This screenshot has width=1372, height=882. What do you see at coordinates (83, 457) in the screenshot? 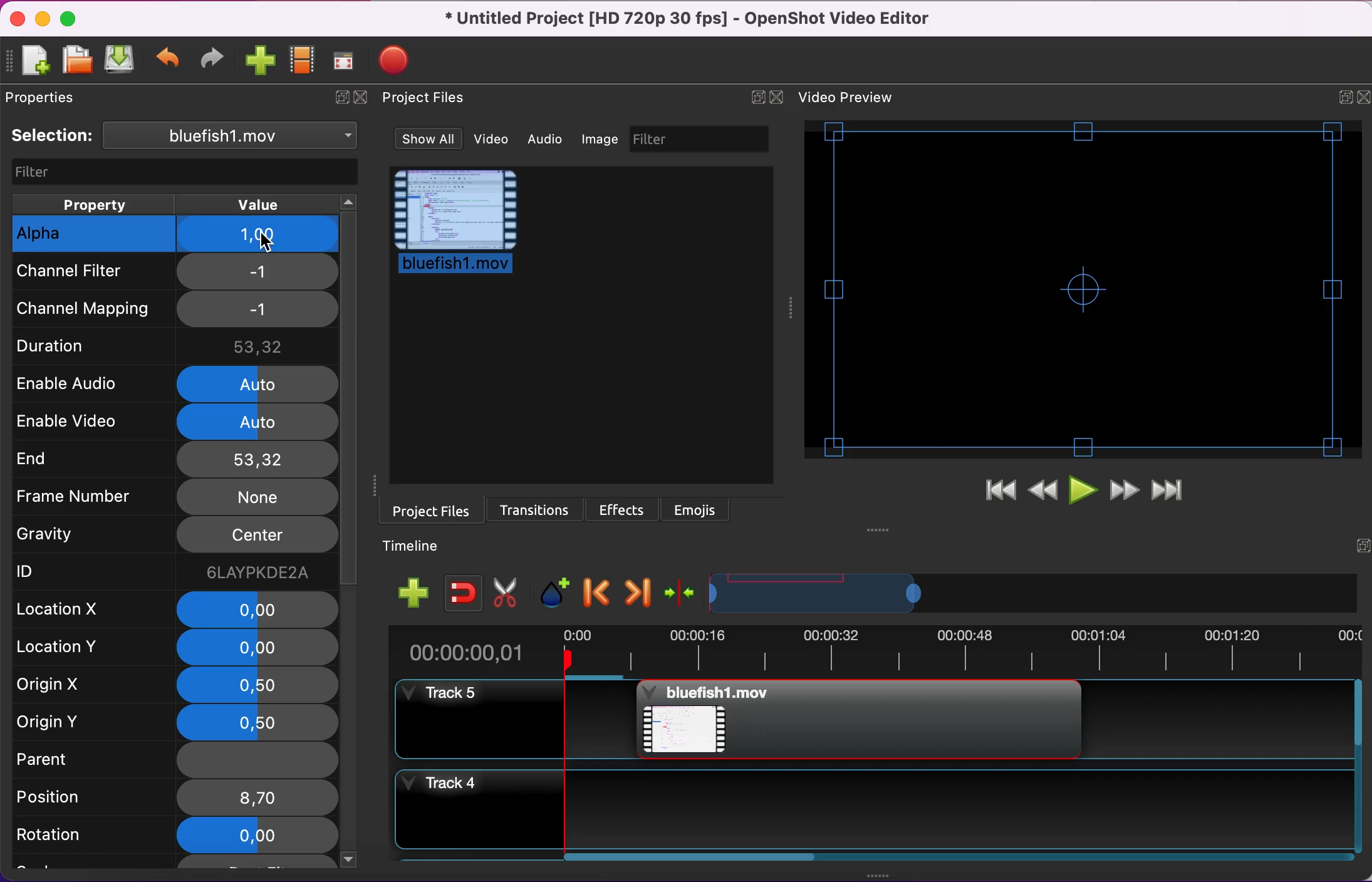
I see `end` at bounding box center [83, 457].